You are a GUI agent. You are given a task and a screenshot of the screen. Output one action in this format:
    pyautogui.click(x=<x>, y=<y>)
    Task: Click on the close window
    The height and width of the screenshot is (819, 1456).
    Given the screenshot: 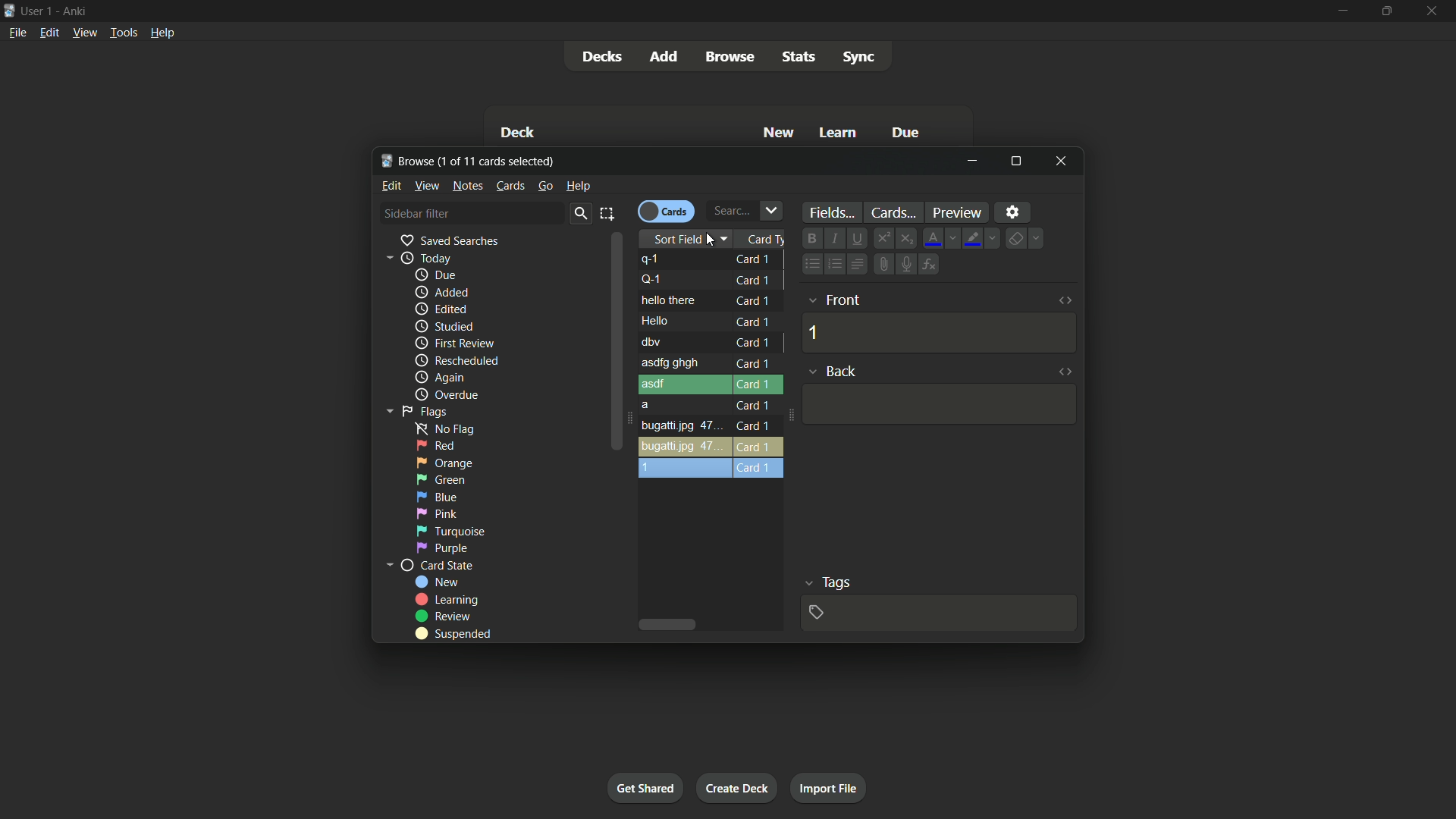 What is the action you would take?
    pyautogui.click(x=1062, y=162)
    